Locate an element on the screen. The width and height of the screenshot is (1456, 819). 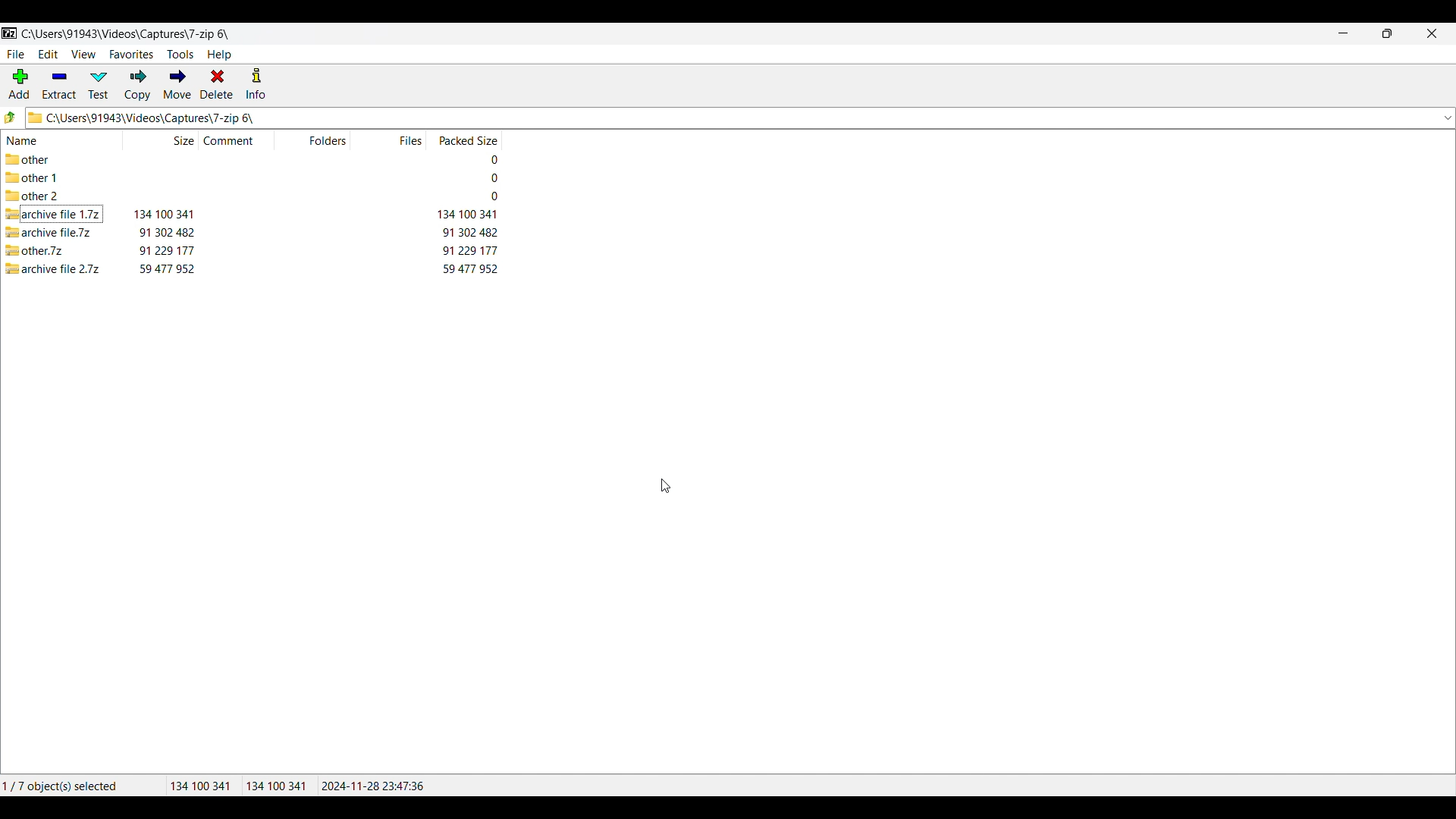
Delete is located at coordinates (217, 83).